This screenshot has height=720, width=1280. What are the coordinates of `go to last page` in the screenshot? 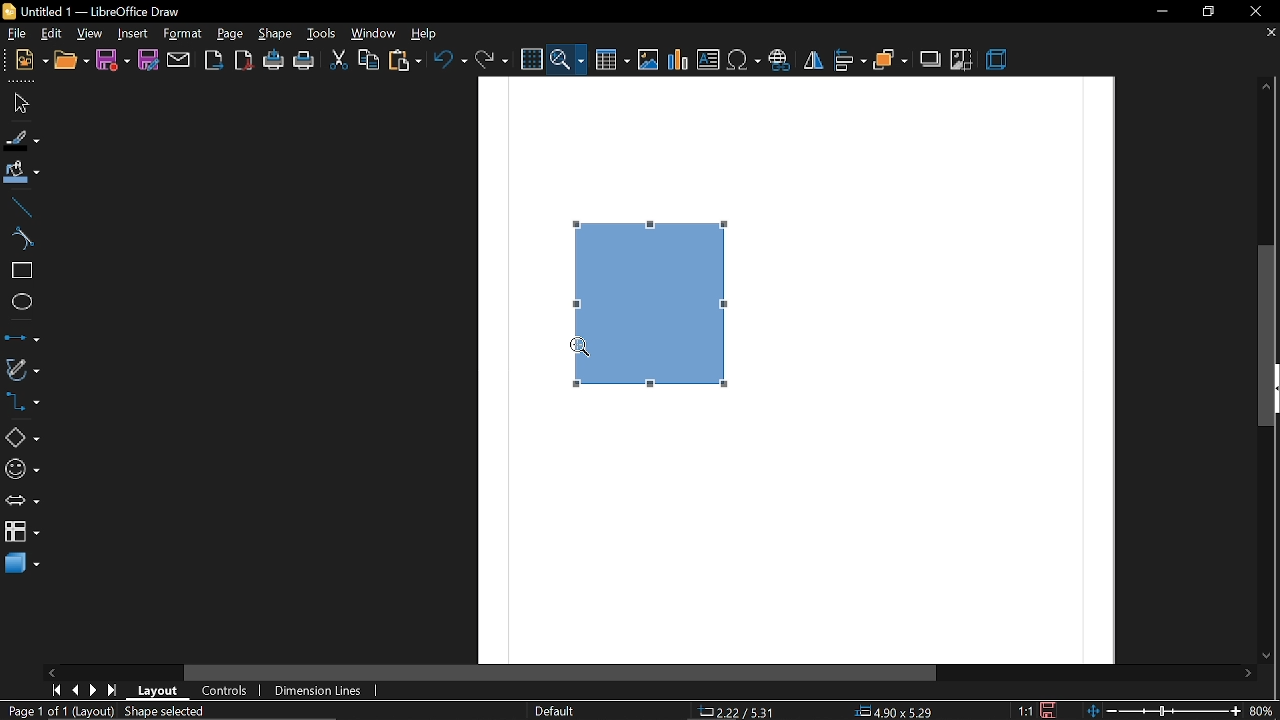 It's located at (114, 690).